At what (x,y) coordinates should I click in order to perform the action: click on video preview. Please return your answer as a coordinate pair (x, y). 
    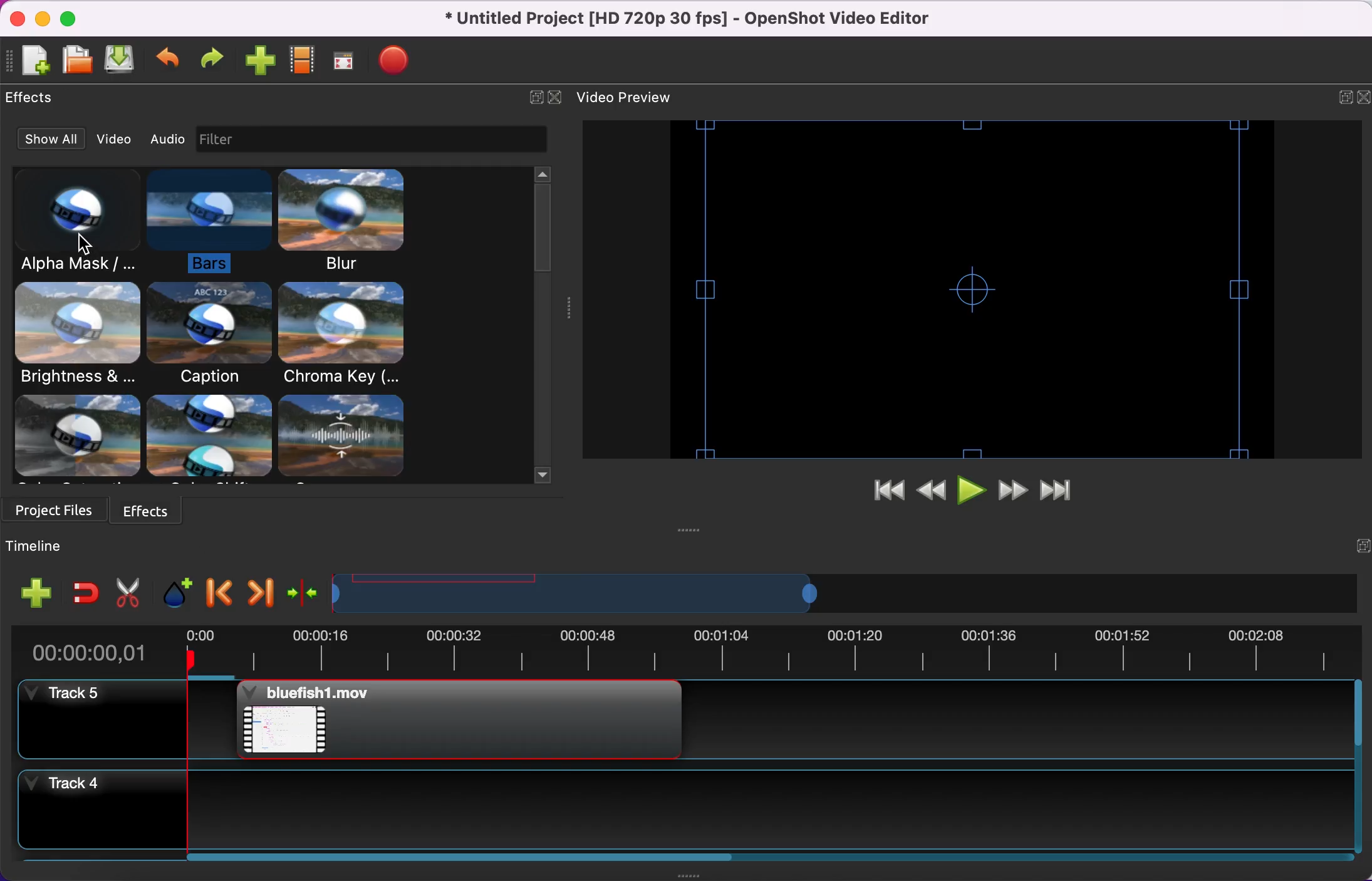
    Looking at the image, I should click on (965, 288).